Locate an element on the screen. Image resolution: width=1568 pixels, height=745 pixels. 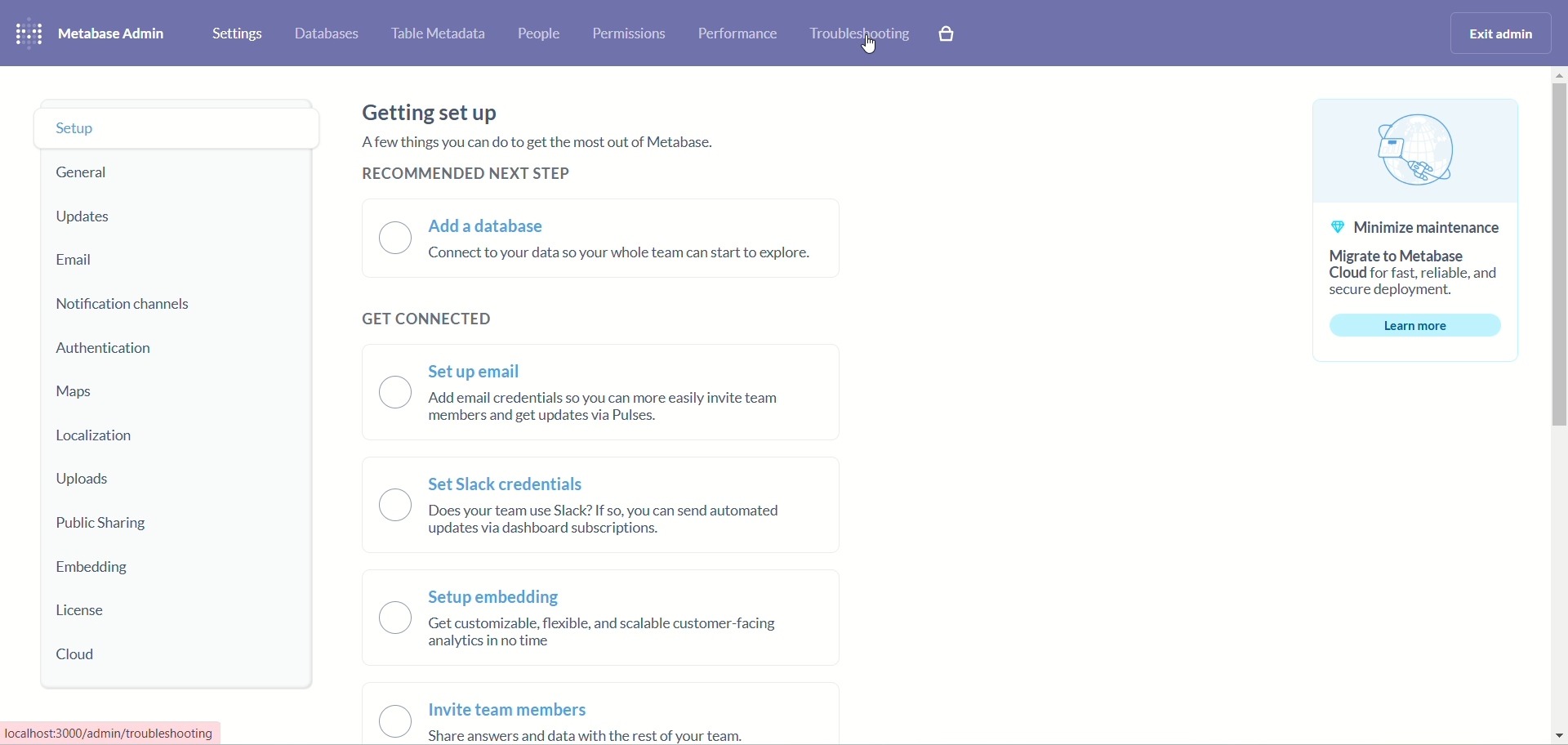
invite members is located at coordinates (590, 723).